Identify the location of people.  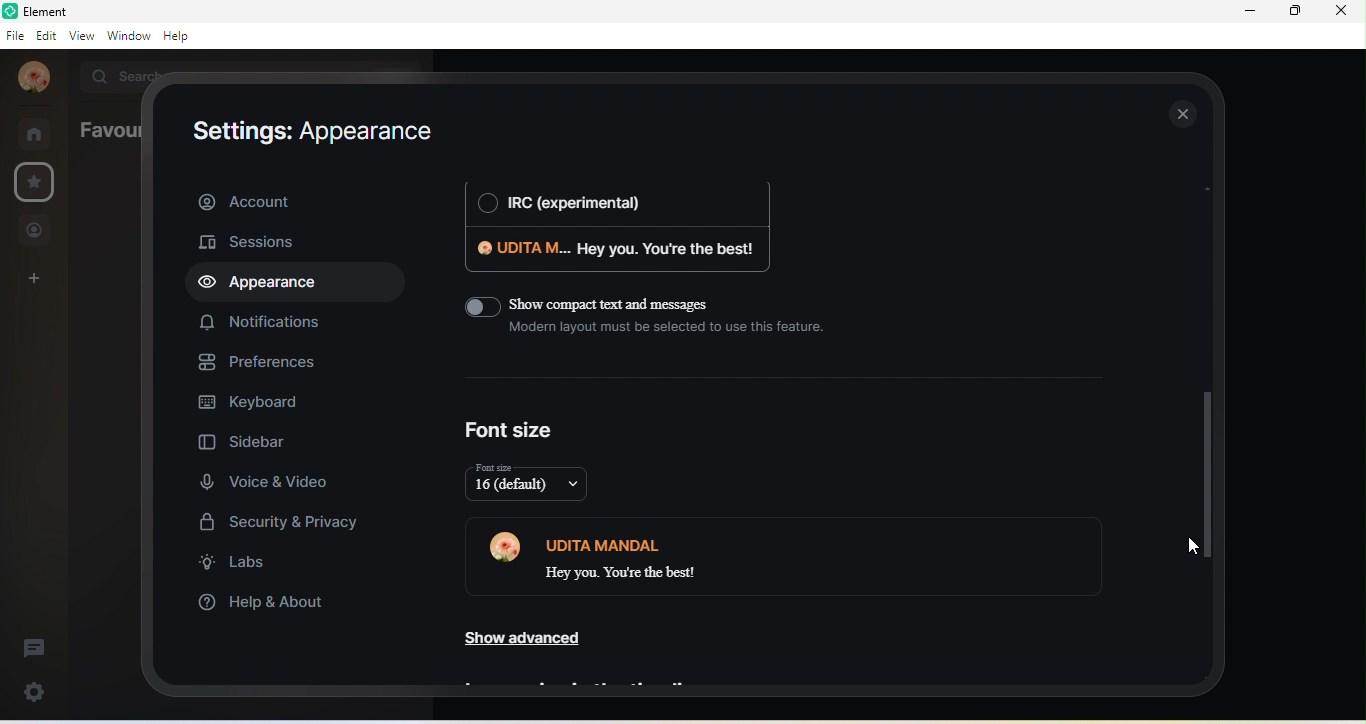
(35, 230).